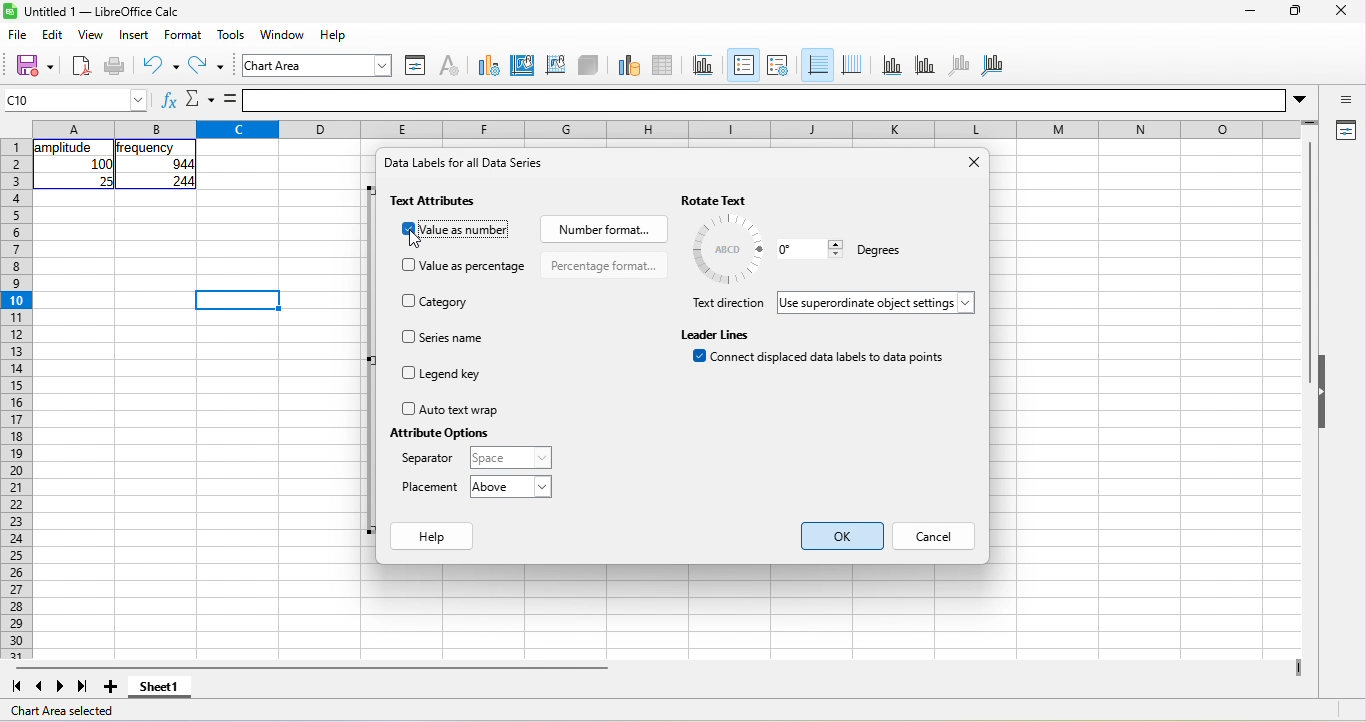 Image resolution: width=1366 pixels, height=722 pixels. I want to click on cancel, so click(937, 538).